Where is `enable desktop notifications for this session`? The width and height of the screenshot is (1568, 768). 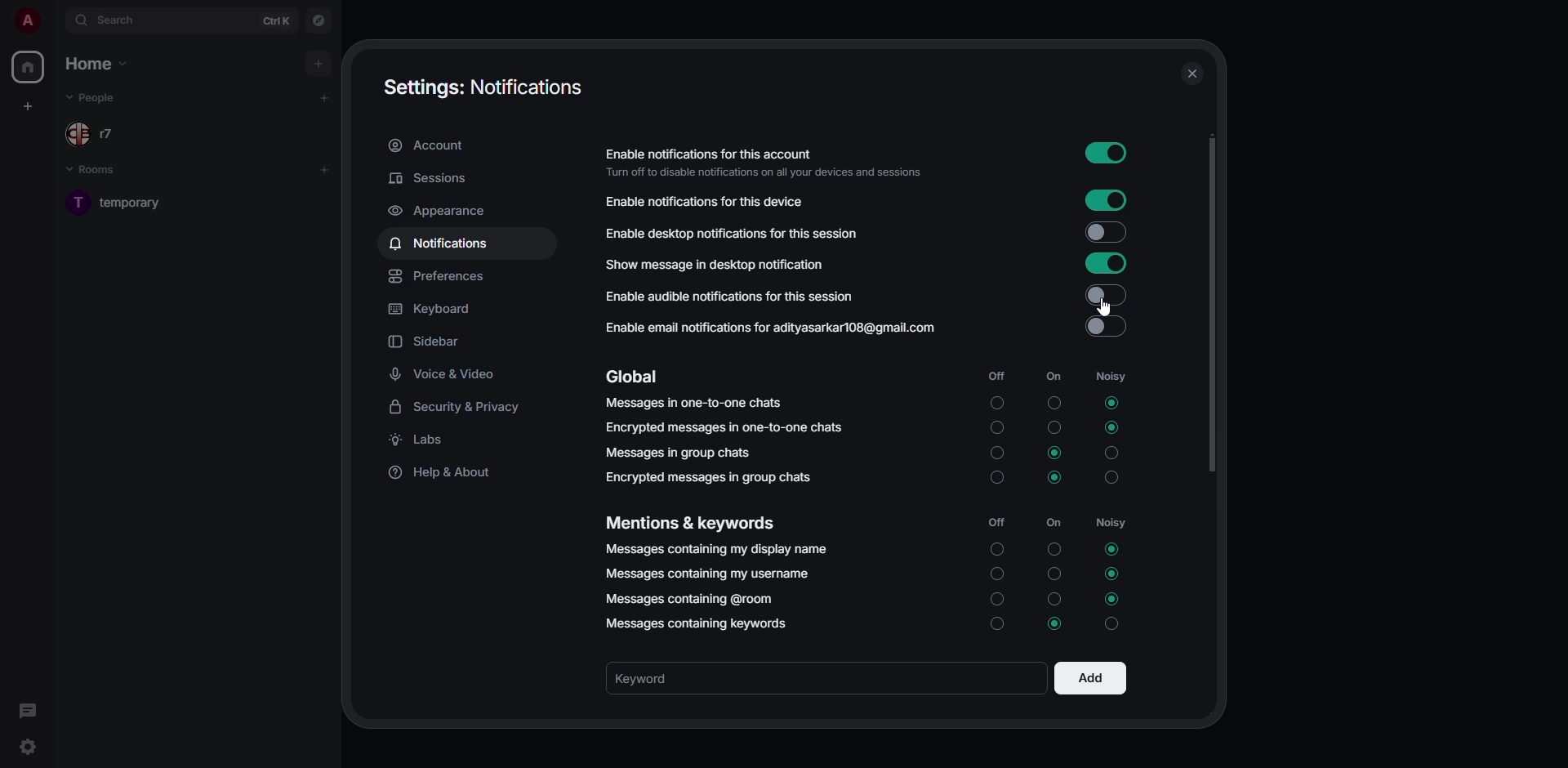 enable desktop notifications for this session is located at coordinates (742, 233).